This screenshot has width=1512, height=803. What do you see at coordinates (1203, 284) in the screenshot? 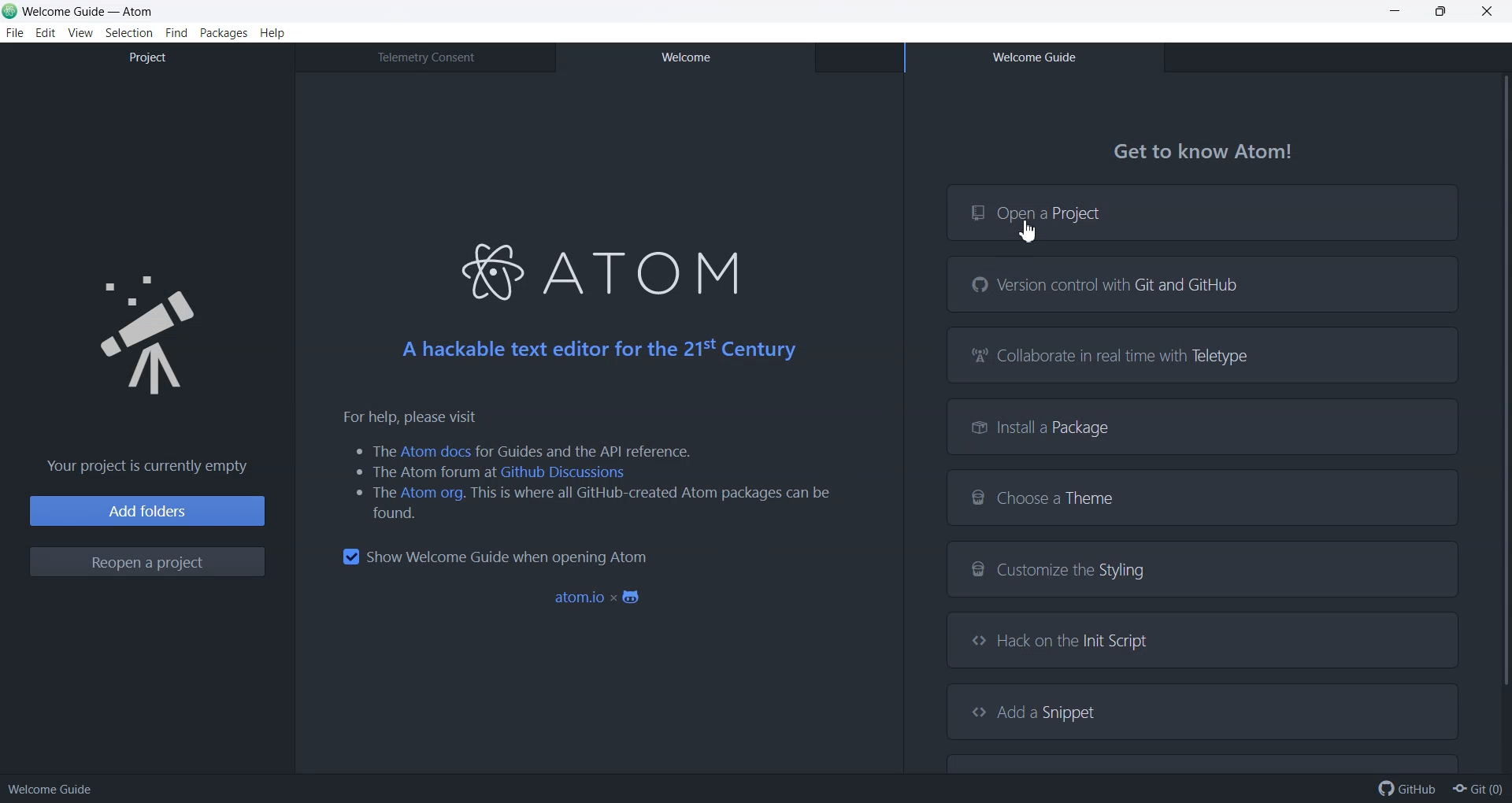
I see `Version control with Git and GitHub` at bounding box center [1203, 284].